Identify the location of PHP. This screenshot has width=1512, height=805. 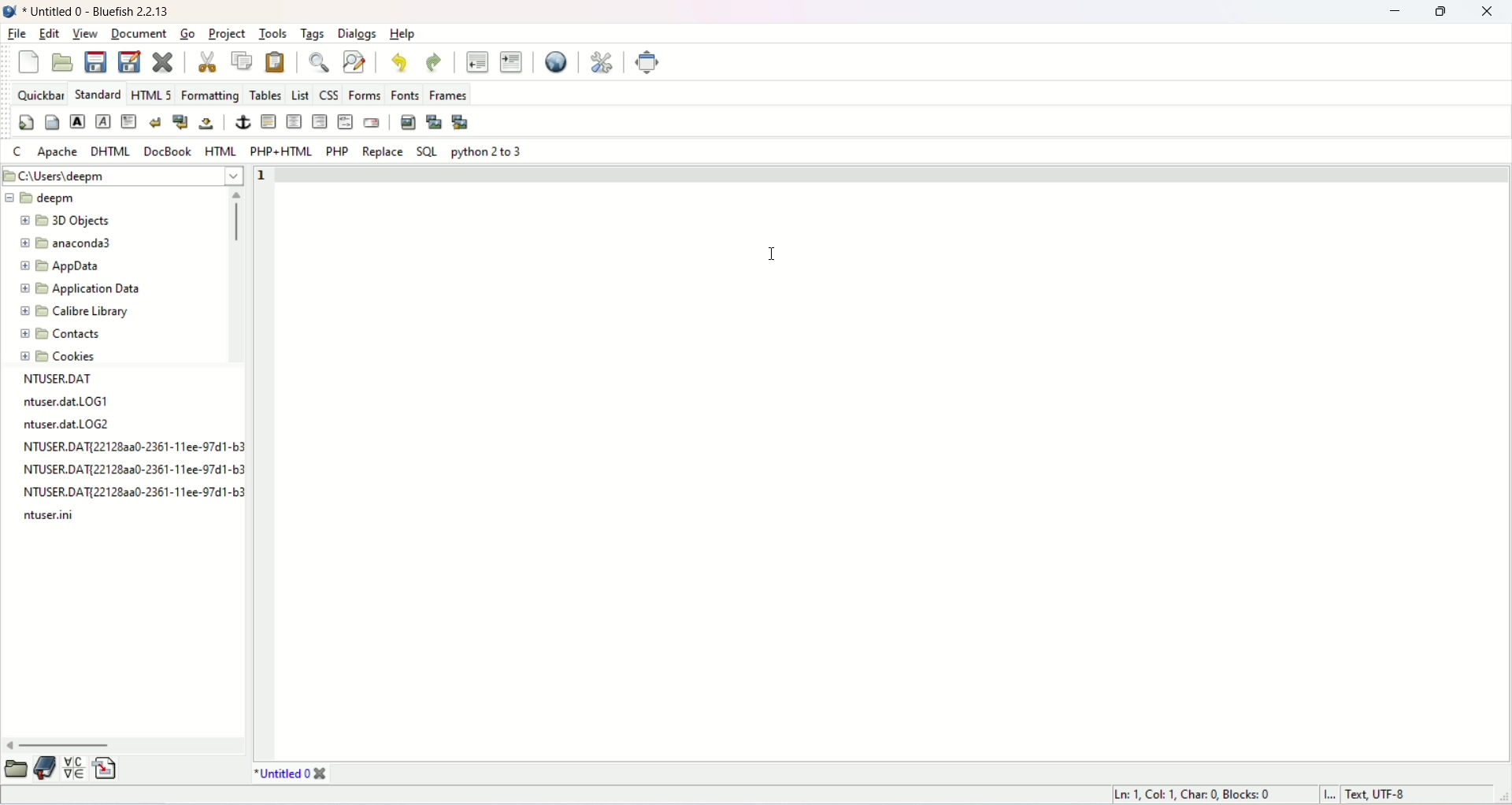
(335, 152).